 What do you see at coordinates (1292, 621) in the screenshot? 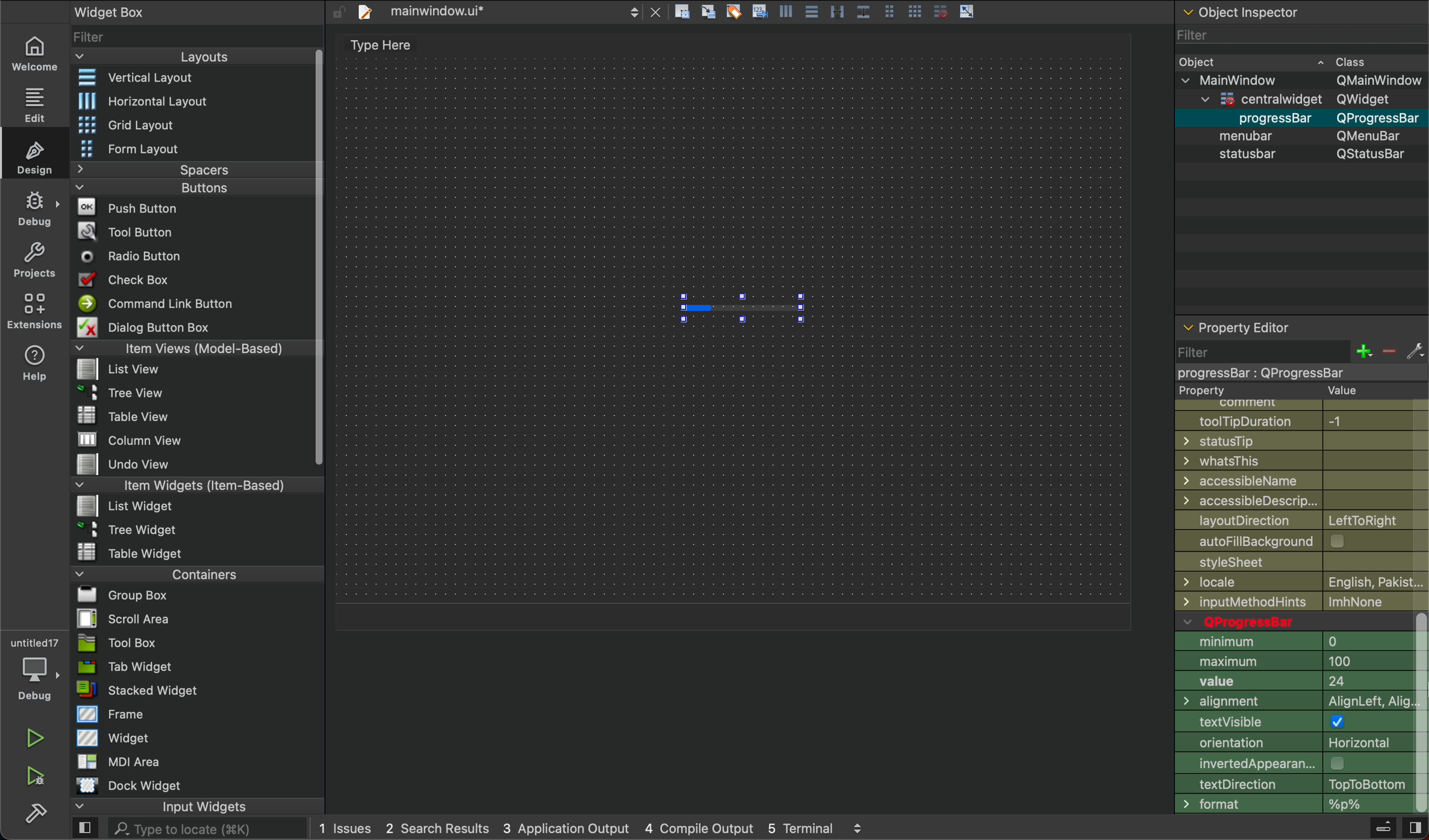
I see `qprogress bar` at bounding box center [1292, 621].